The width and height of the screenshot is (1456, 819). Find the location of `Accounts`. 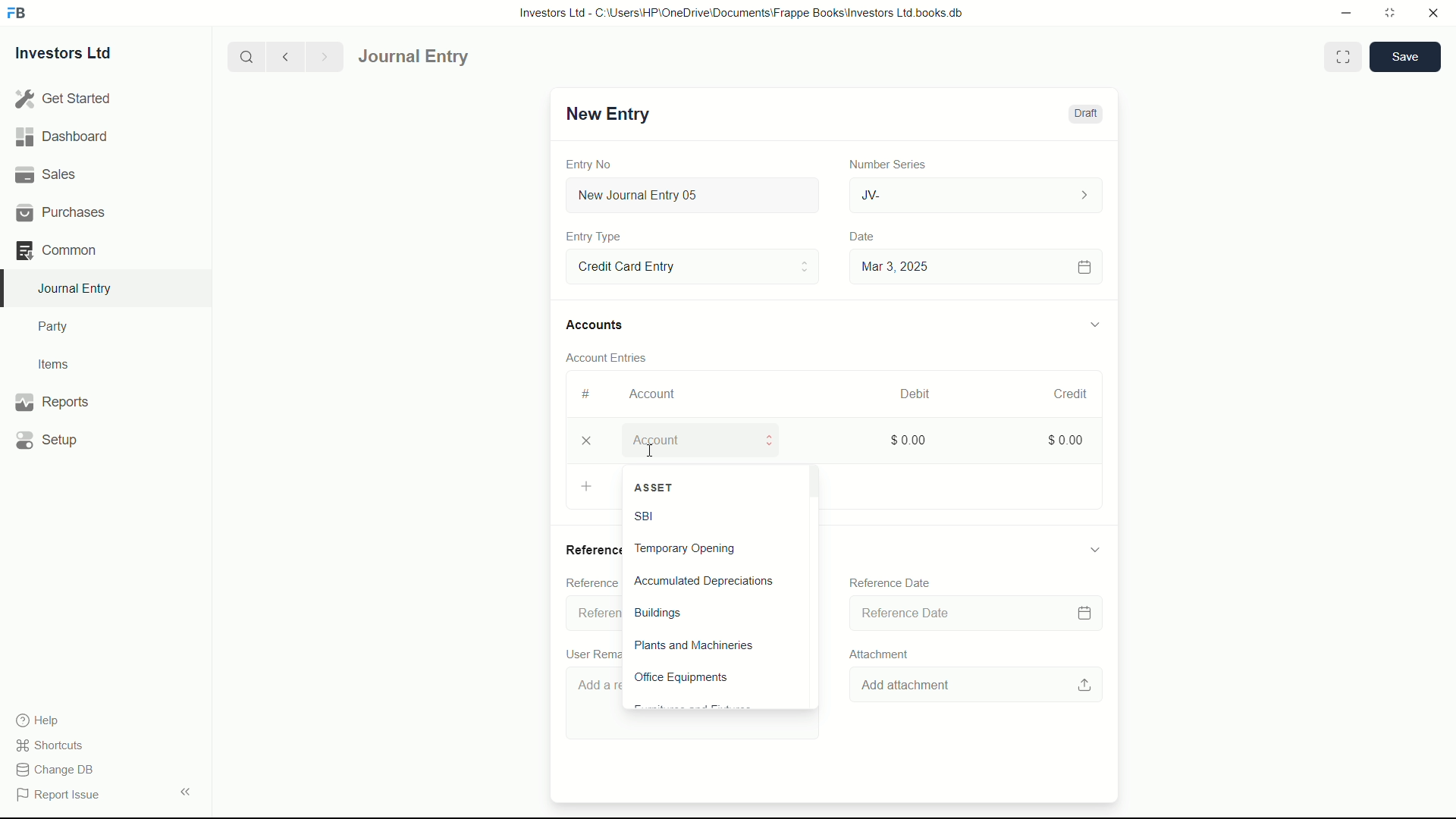

Accounts is located at coordinates (598, 325).